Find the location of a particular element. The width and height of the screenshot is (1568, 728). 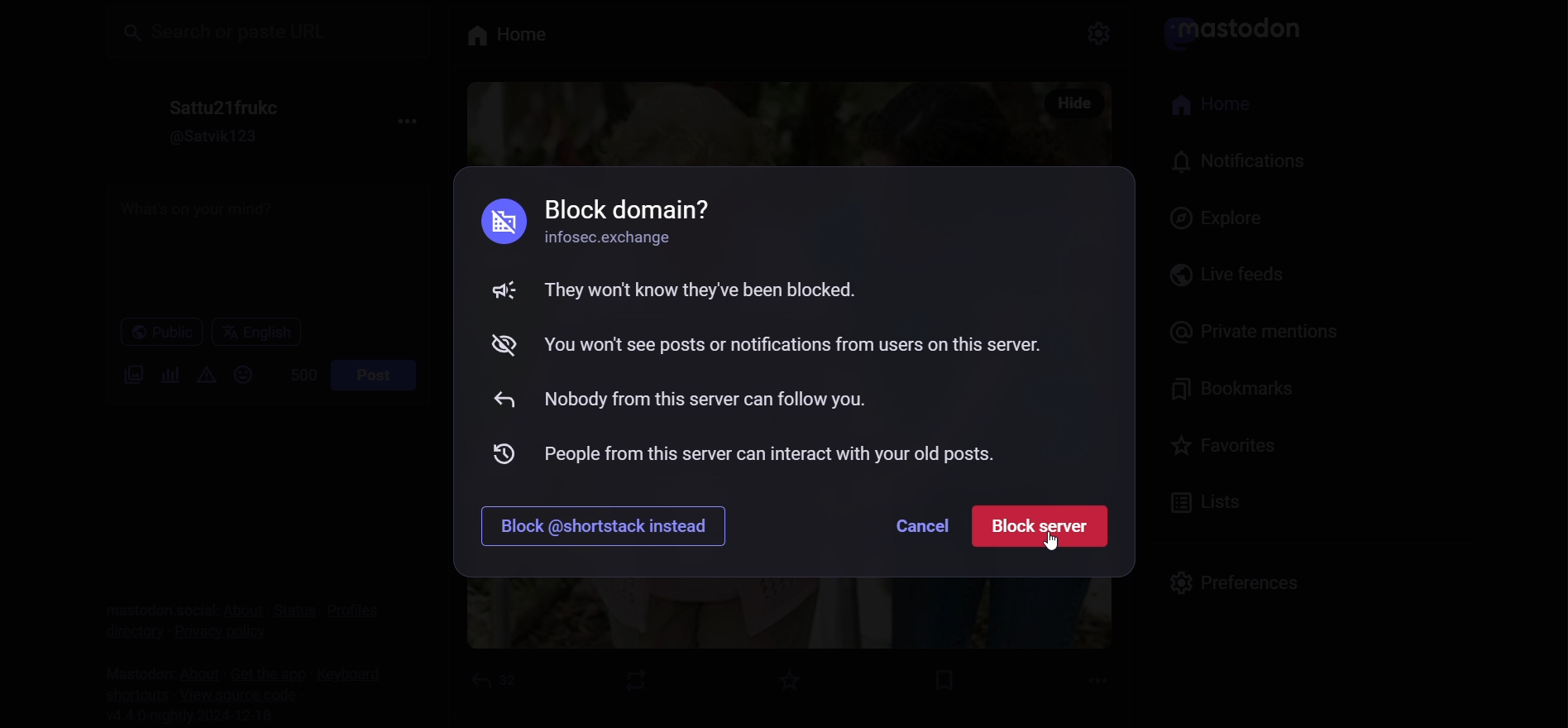

block server is located at coordinates (1047, 527).